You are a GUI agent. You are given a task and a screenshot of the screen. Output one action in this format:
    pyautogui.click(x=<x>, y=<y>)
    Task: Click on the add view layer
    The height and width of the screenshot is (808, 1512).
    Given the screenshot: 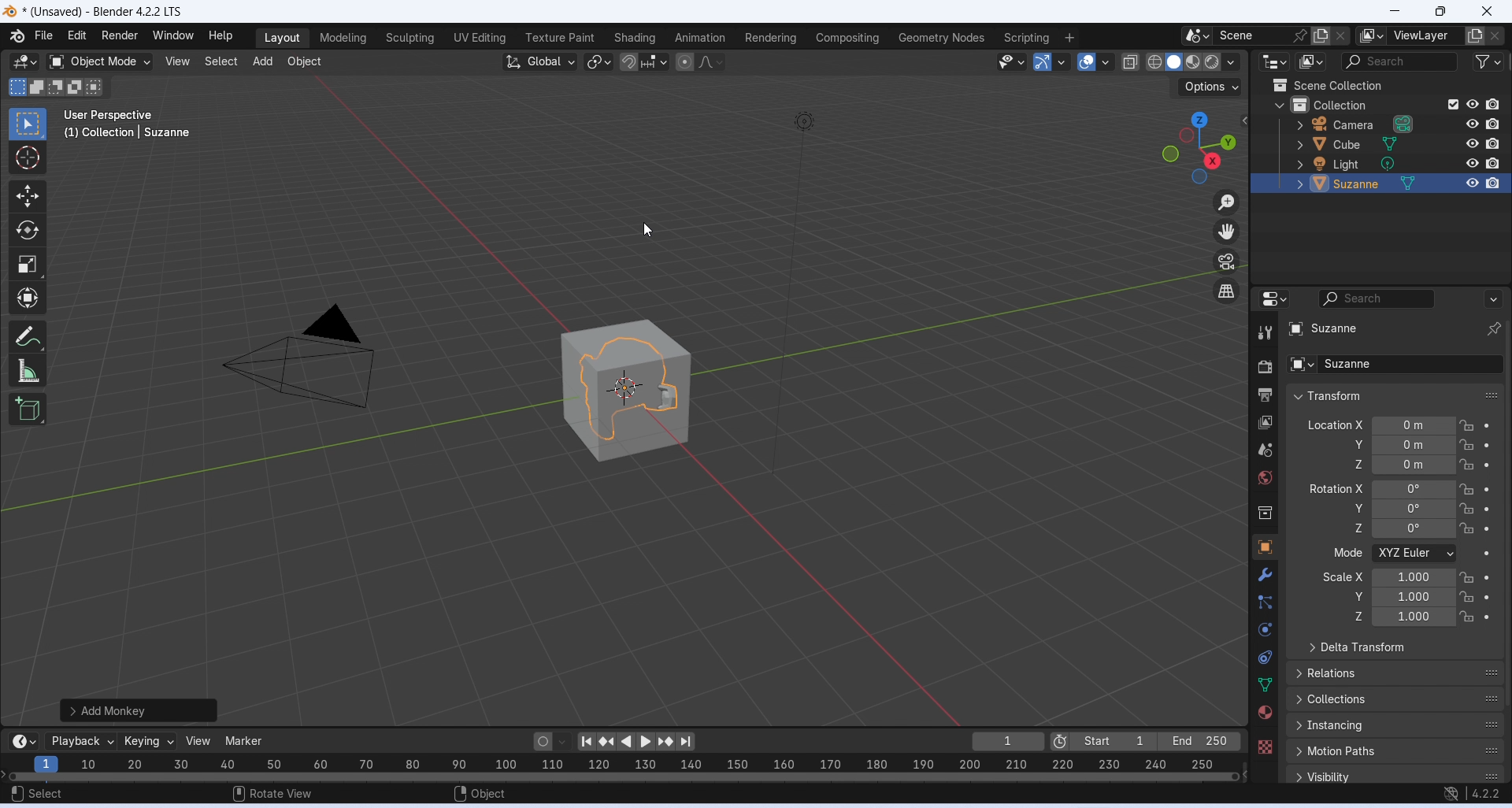 What is the action you would take?
    pyautogui.click(x=1475, y=35)
    